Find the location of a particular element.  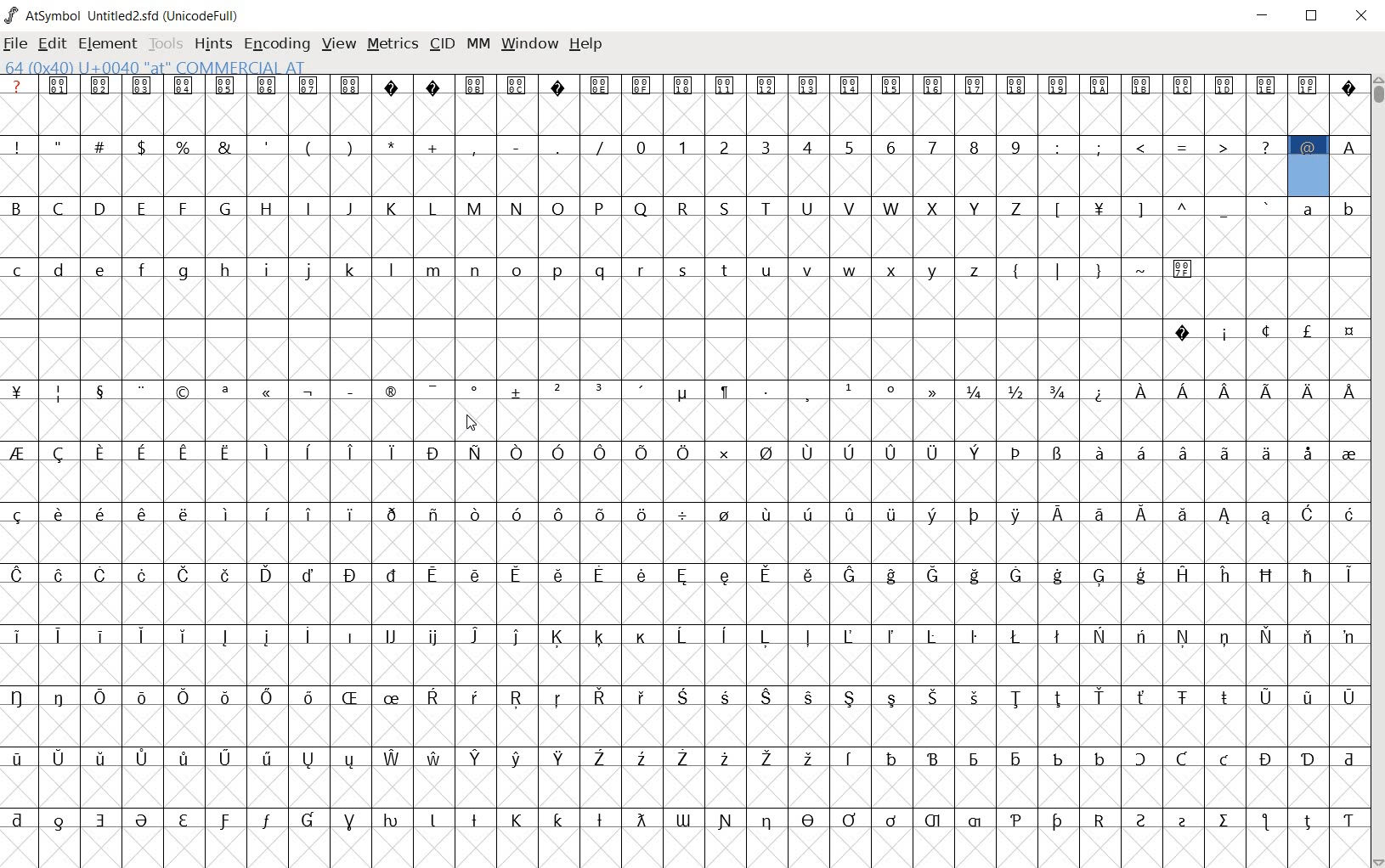

edit is located at coordinates (50, 45).